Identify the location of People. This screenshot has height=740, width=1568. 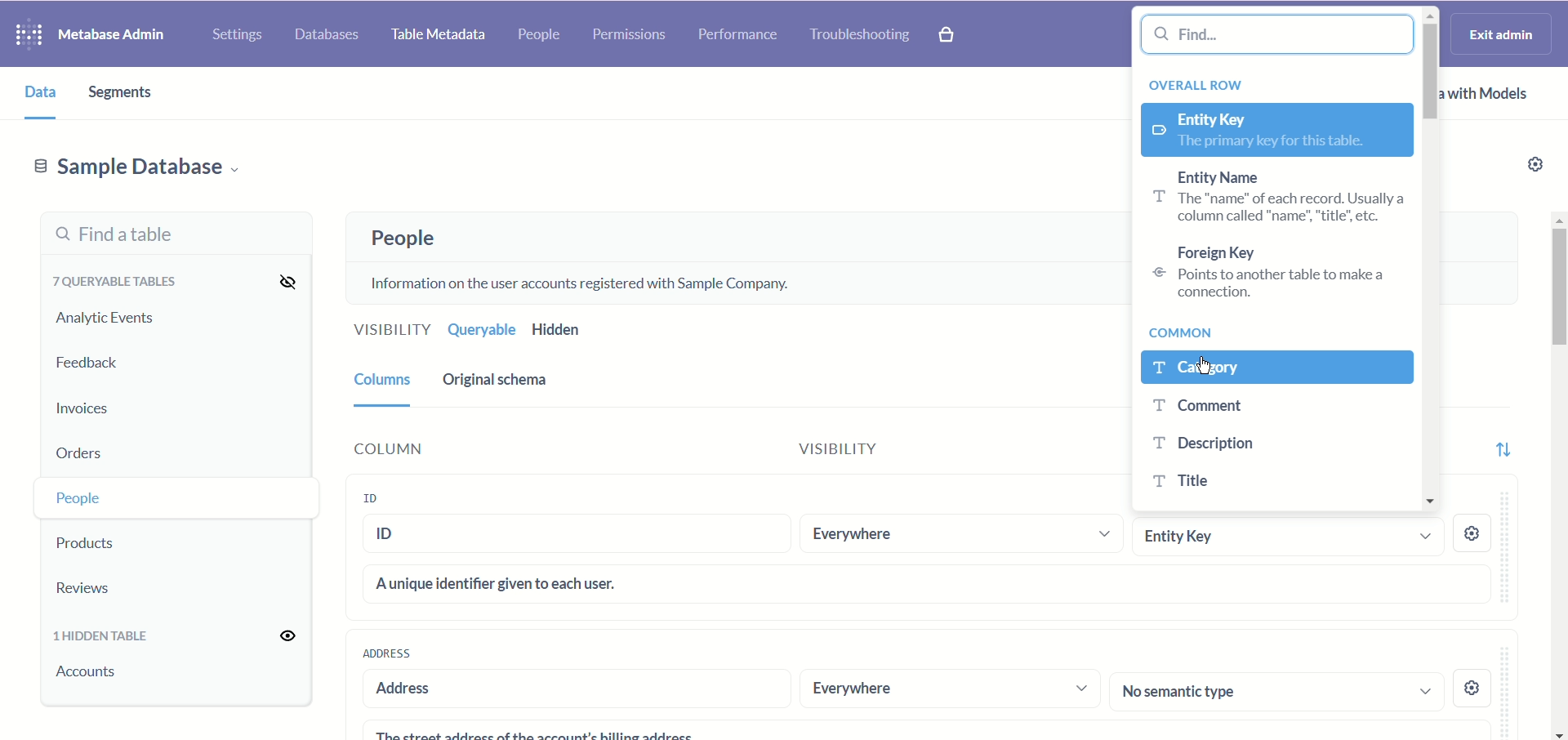
(542, 36).